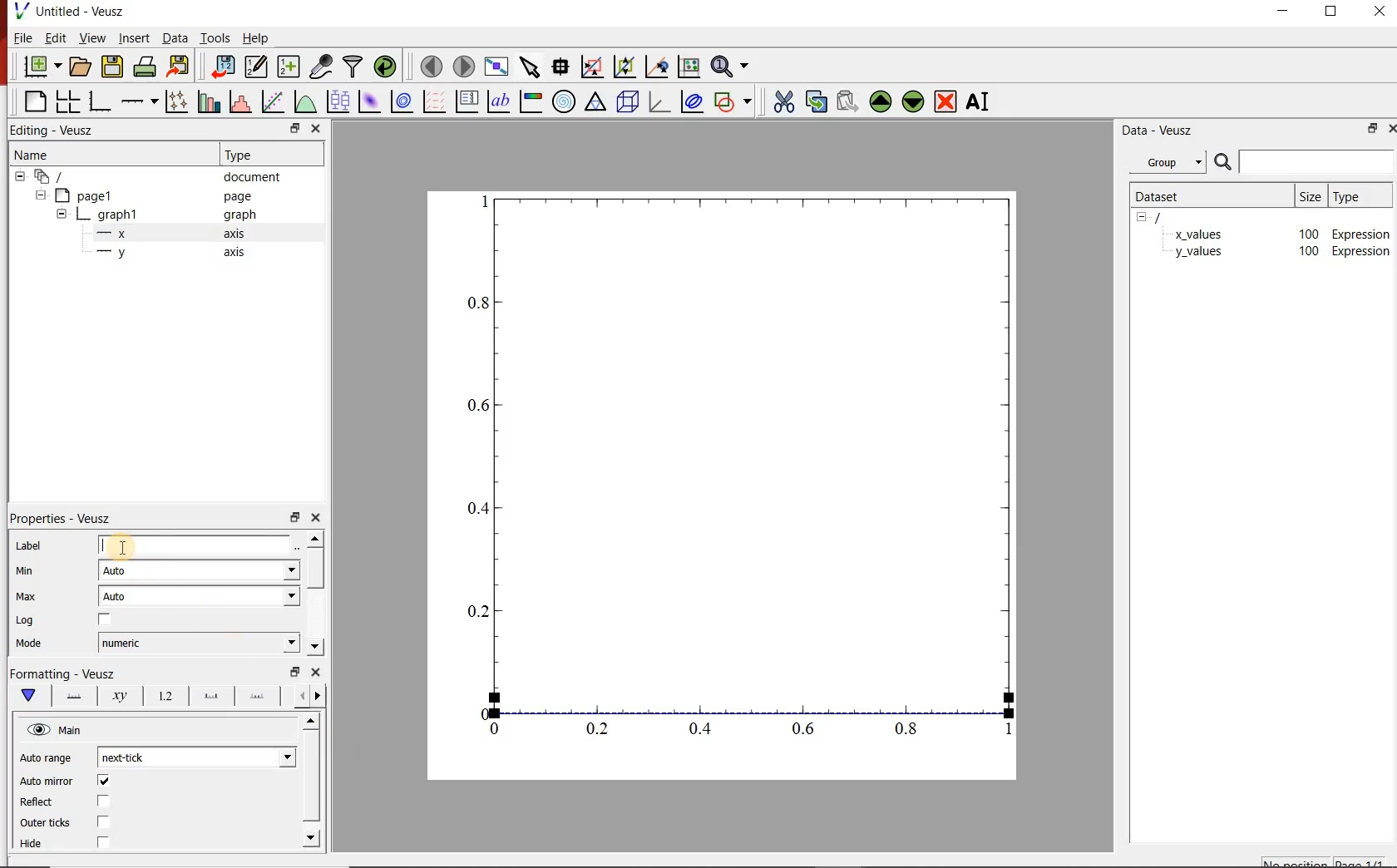 This screenshot has height=868, width=1397. I want to click on checkbox, so click(105, 841).